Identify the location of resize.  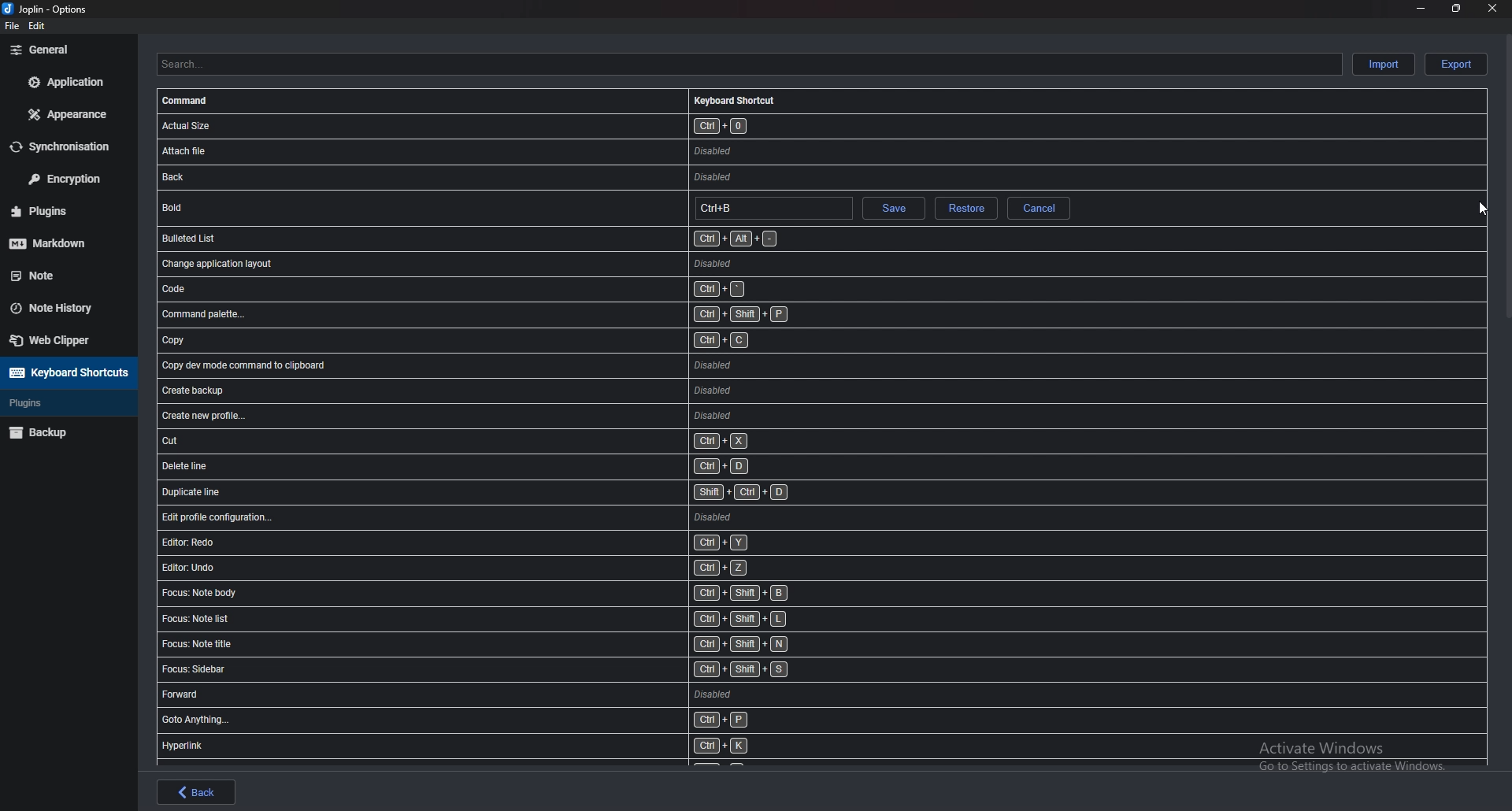
(1456, 8).